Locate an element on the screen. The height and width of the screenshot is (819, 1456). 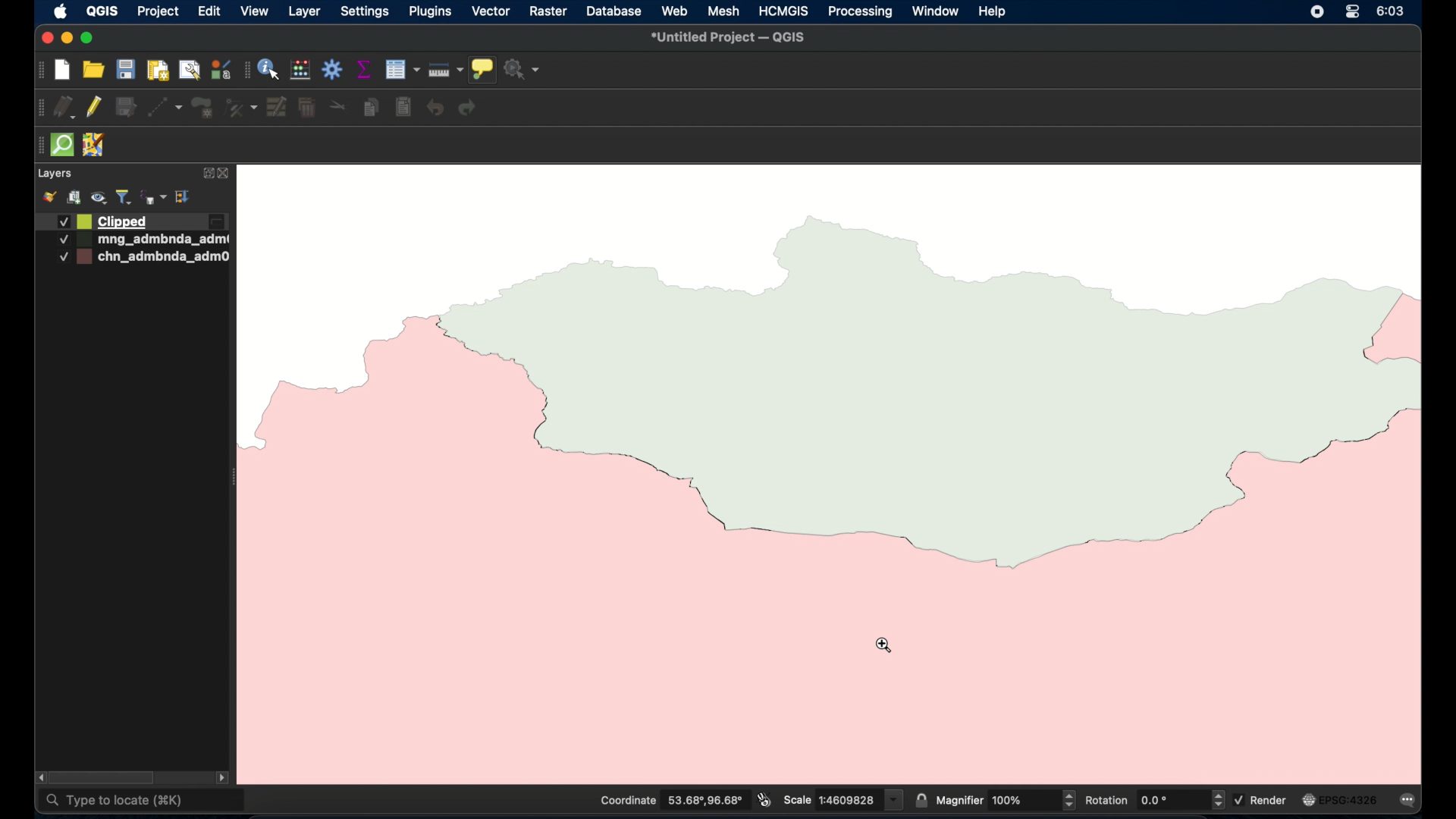
scale is located at coordinates (843, 799).